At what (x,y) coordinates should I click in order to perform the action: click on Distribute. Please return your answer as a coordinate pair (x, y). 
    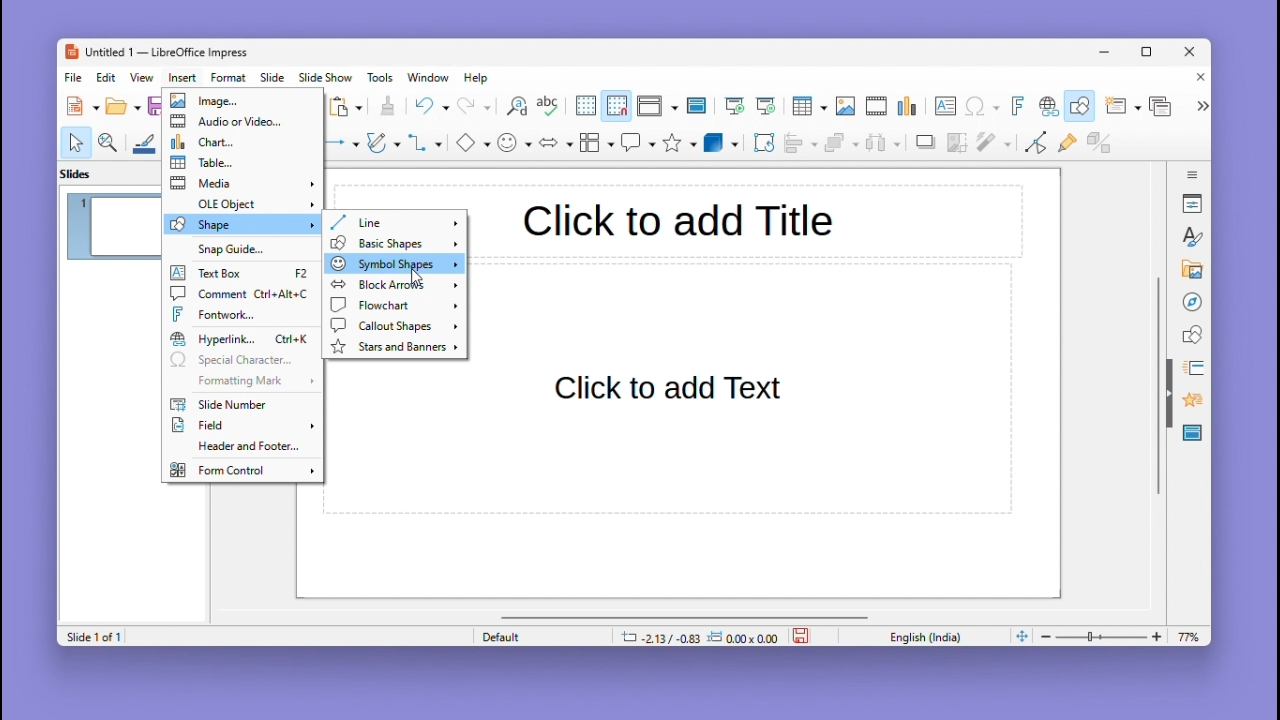
    Looking at the image, I should click on (886, 145).